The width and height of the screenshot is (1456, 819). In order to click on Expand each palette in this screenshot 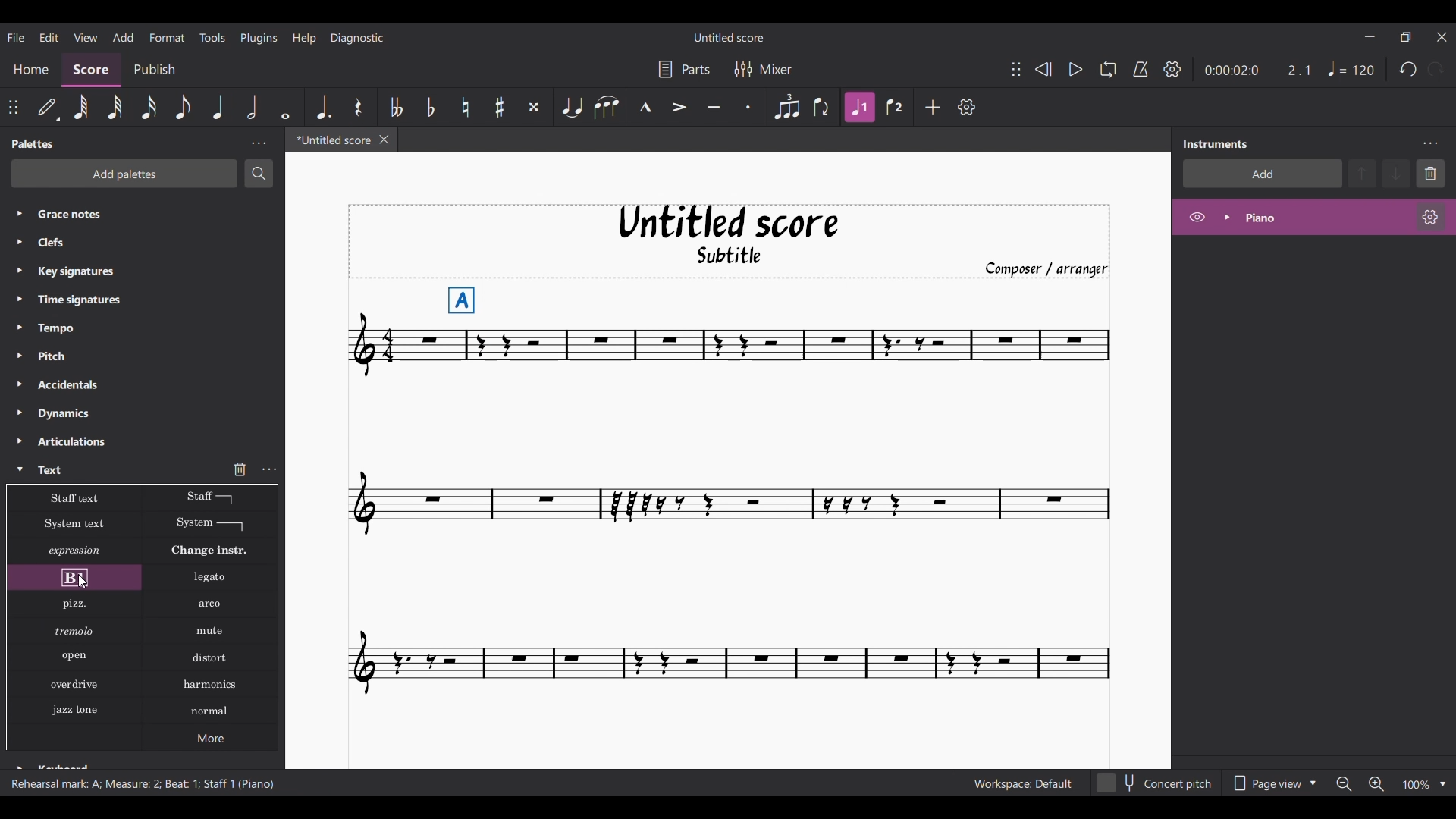, I will do `click(20, 397)`.